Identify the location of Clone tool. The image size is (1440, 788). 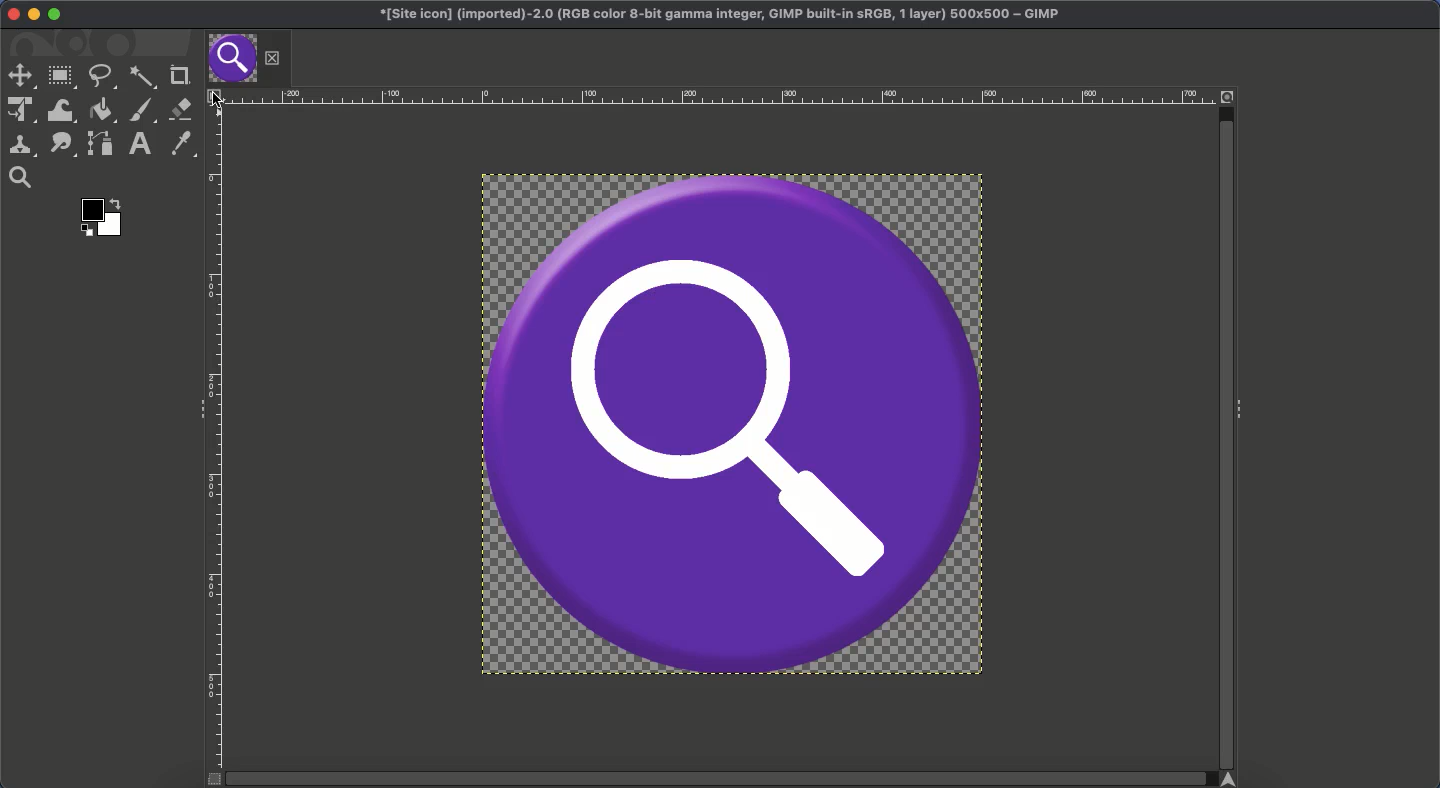
(21, 147).